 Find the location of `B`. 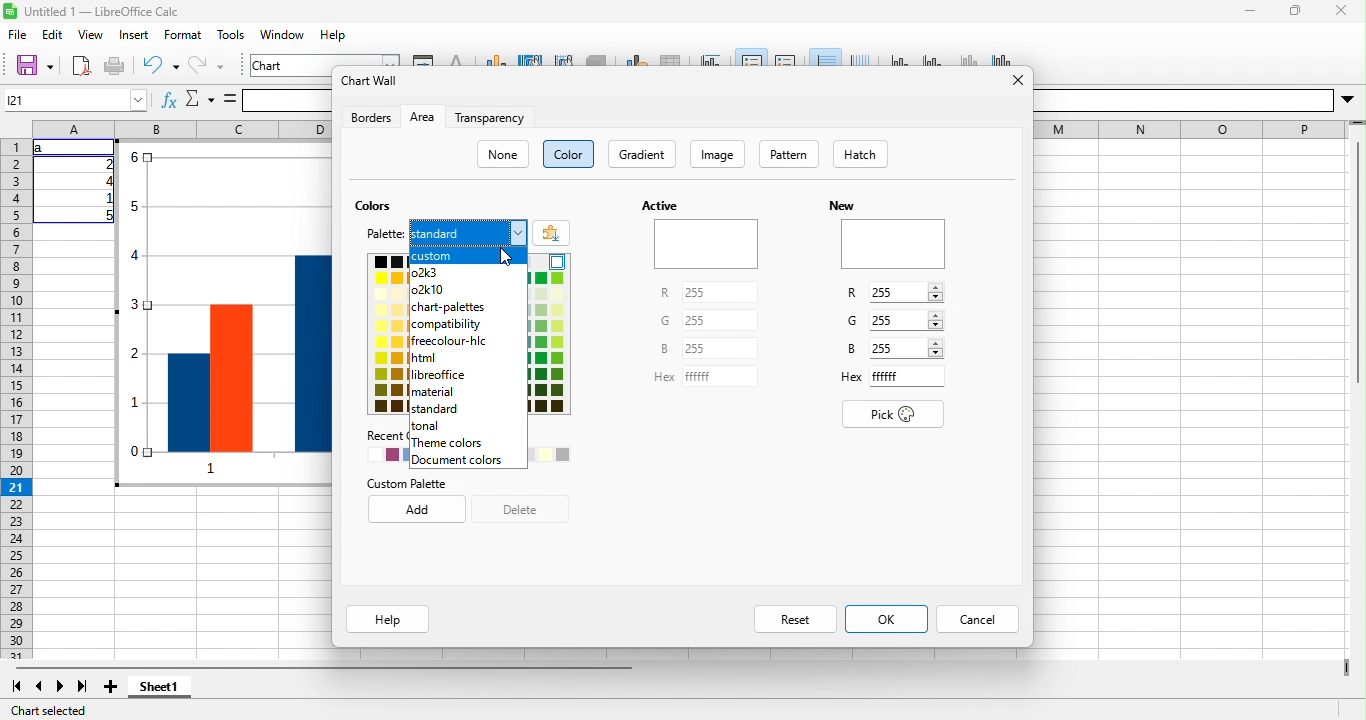

B is located at coordinates (664, 348).